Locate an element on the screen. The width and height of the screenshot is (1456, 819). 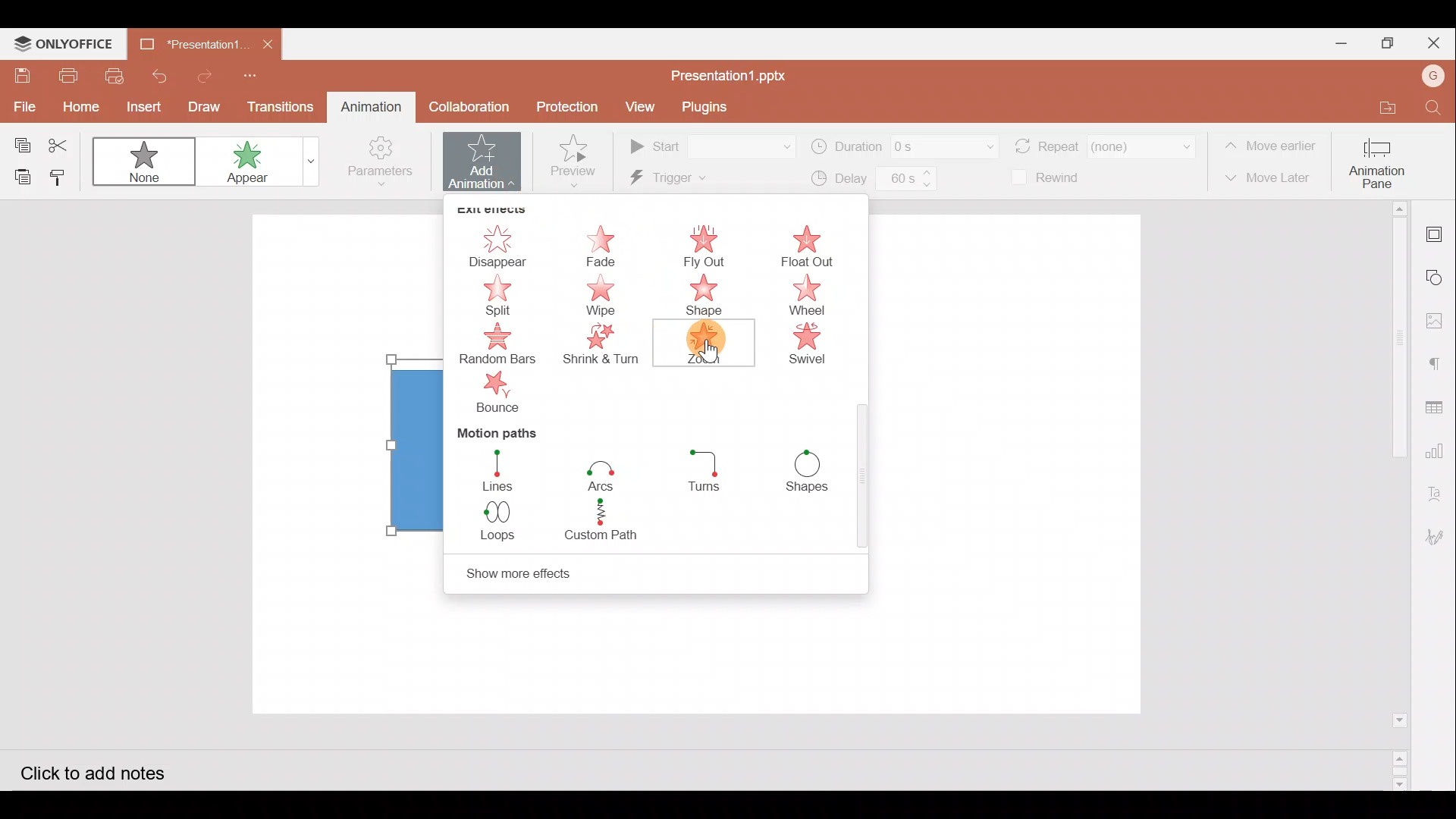
Copy style is located at coordinates (65, 175).